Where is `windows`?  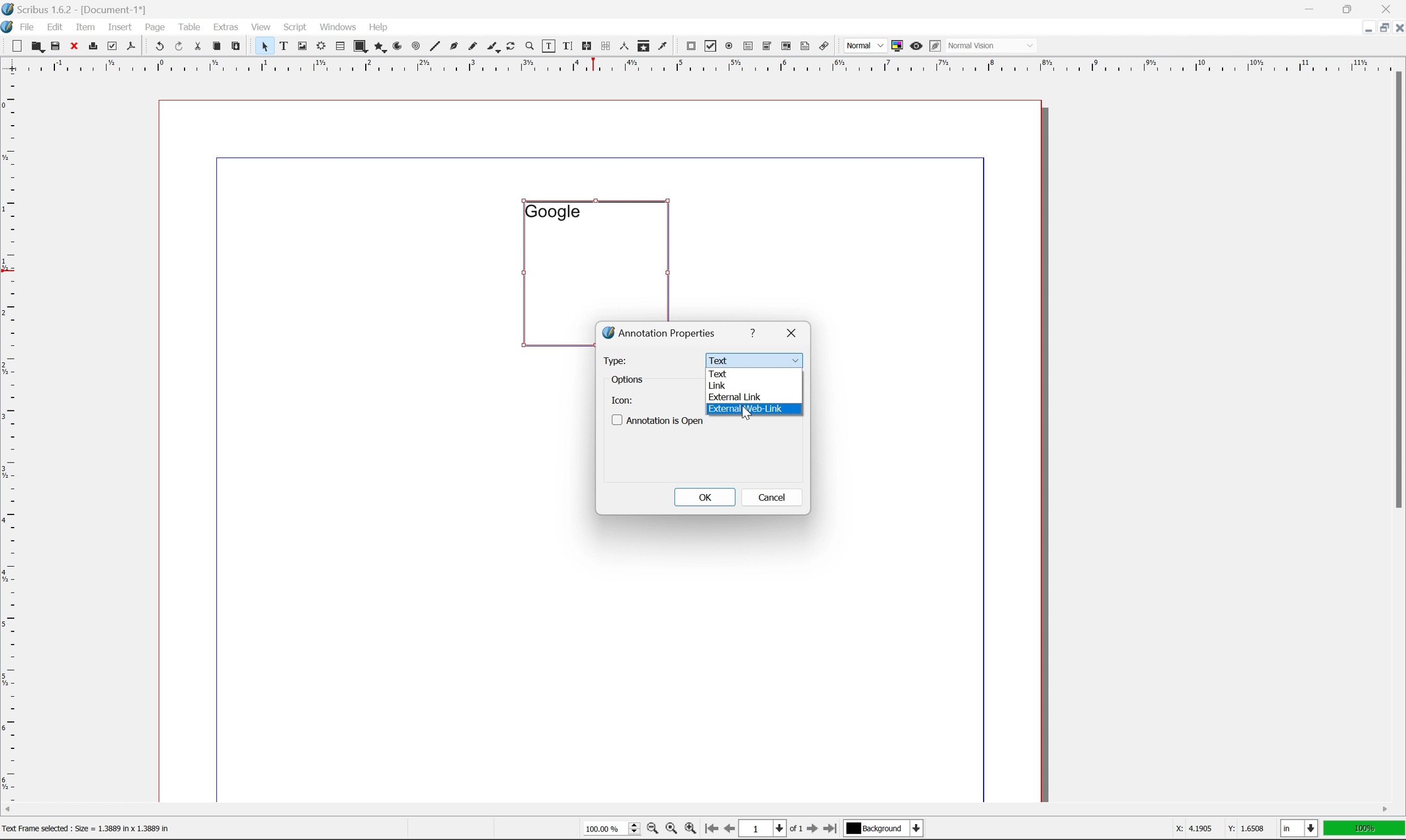
windows is located at coordinates (340, 26).